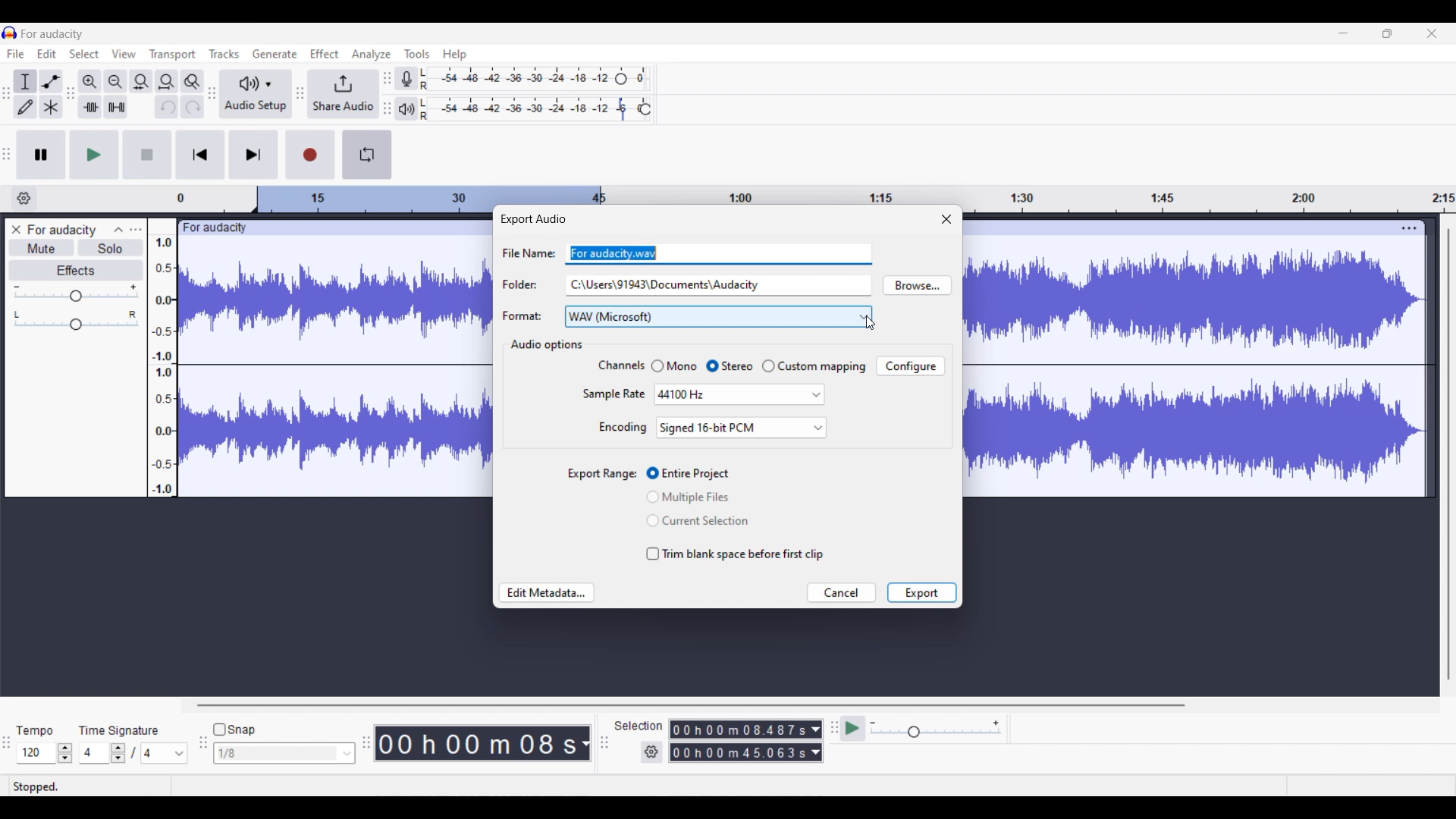 The height and width of the screenshot is (819, 1456). What do you see at coordinates (51, 107) in the screenshot?
I see `Multi-tool` at bounding box center [51, 107].